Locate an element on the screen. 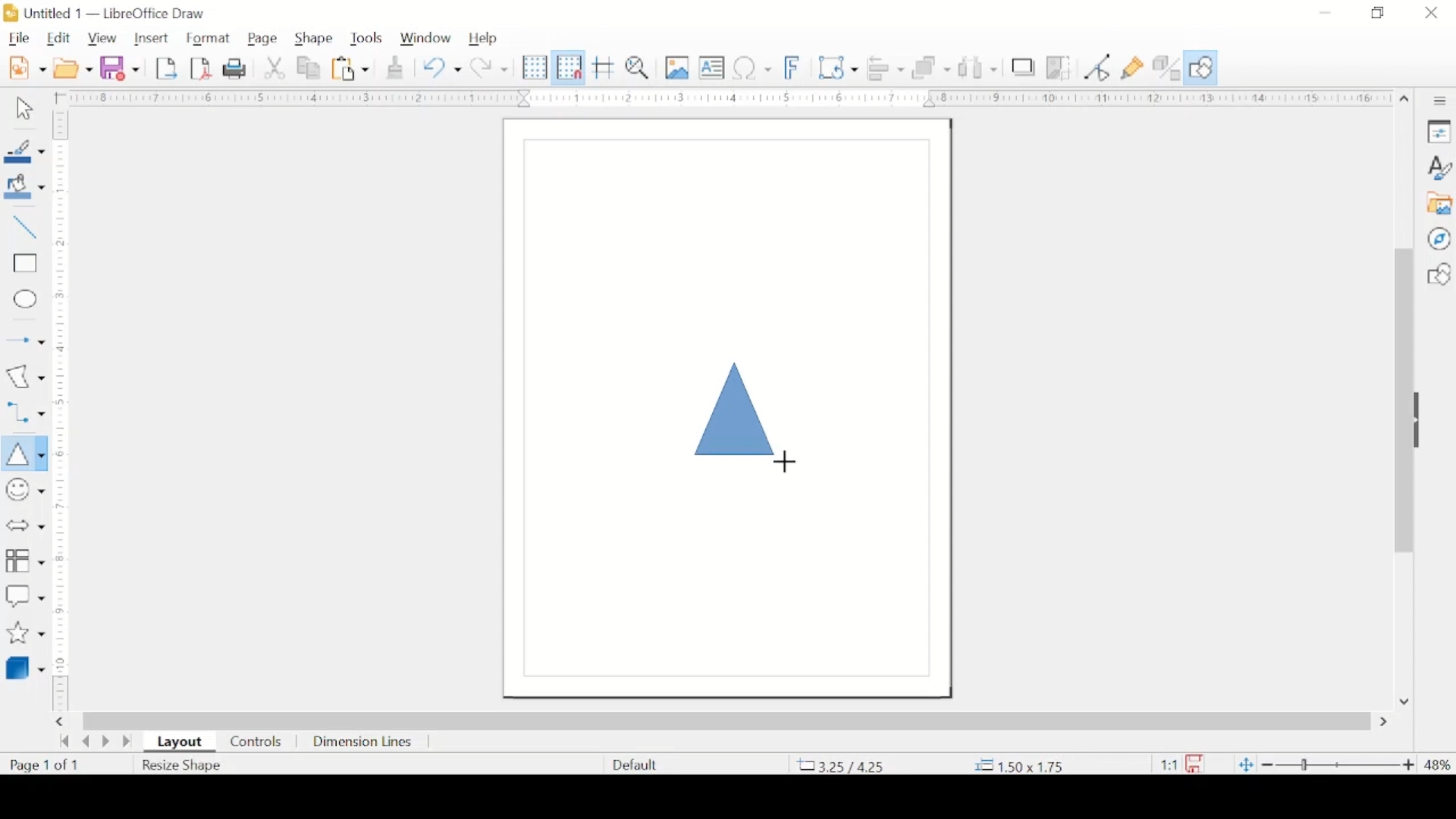 This screenshot has width=1456, height=819. helplines while moving is located at coordinates (604, 67).